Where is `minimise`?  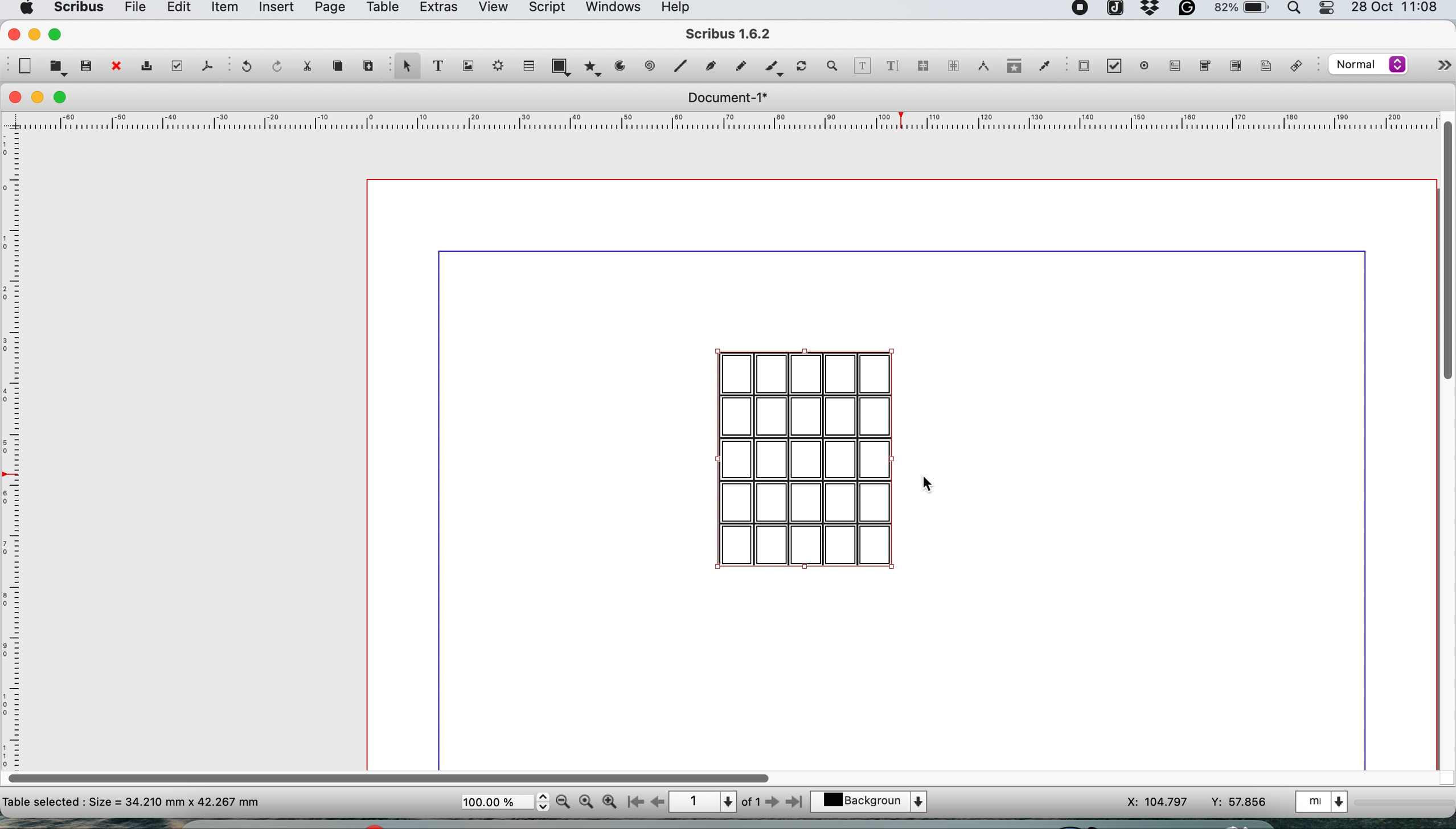
minimise is located at coordinates (34, 34).